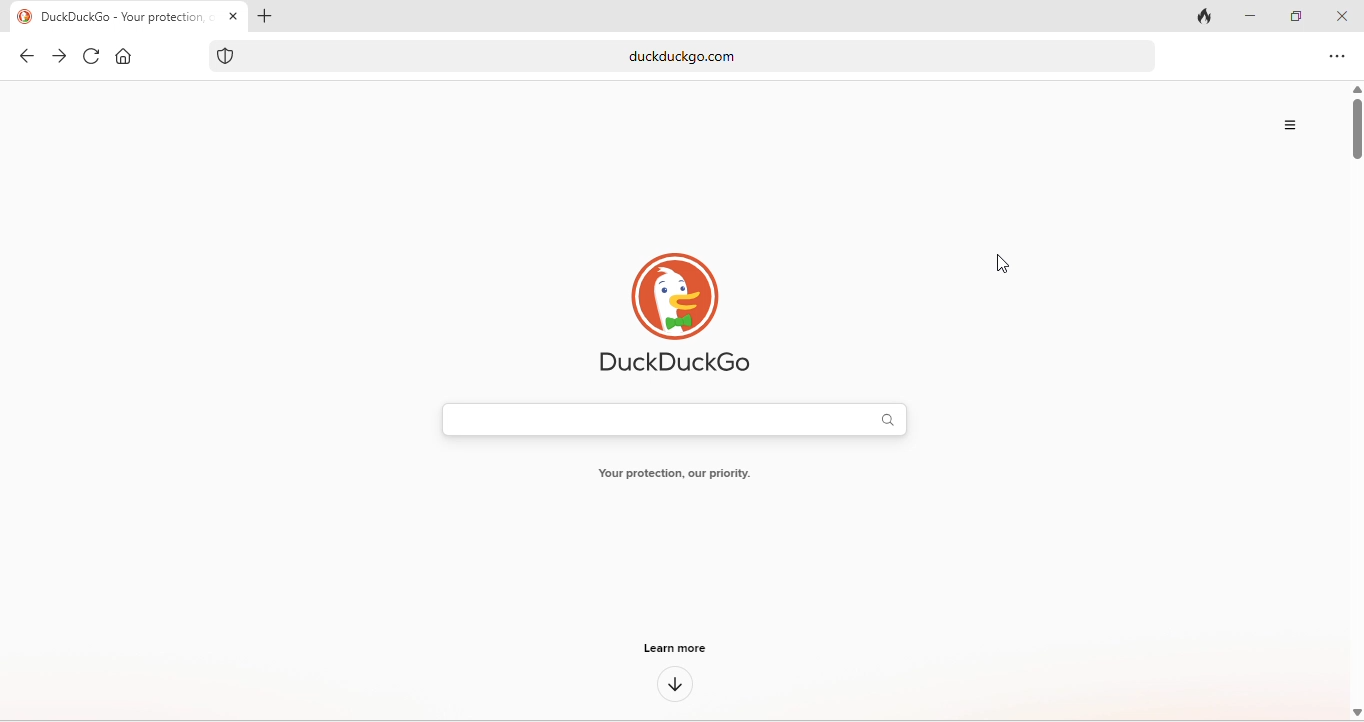  Describe the element at coordinates (1198, 14) in the screenshot. I see `track tab` at that location.